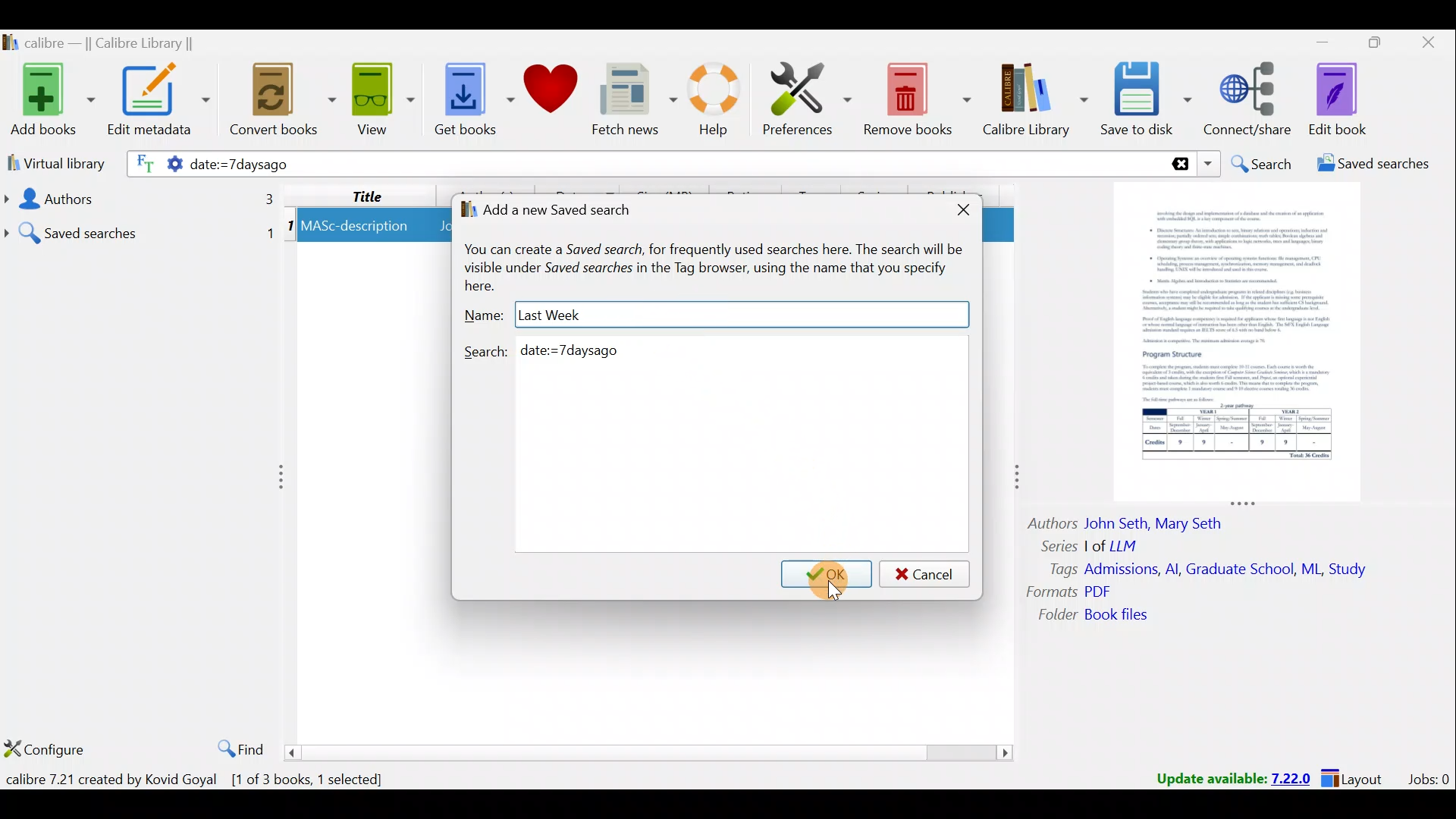  I want to click on Folder book files, so click(1105, 616).